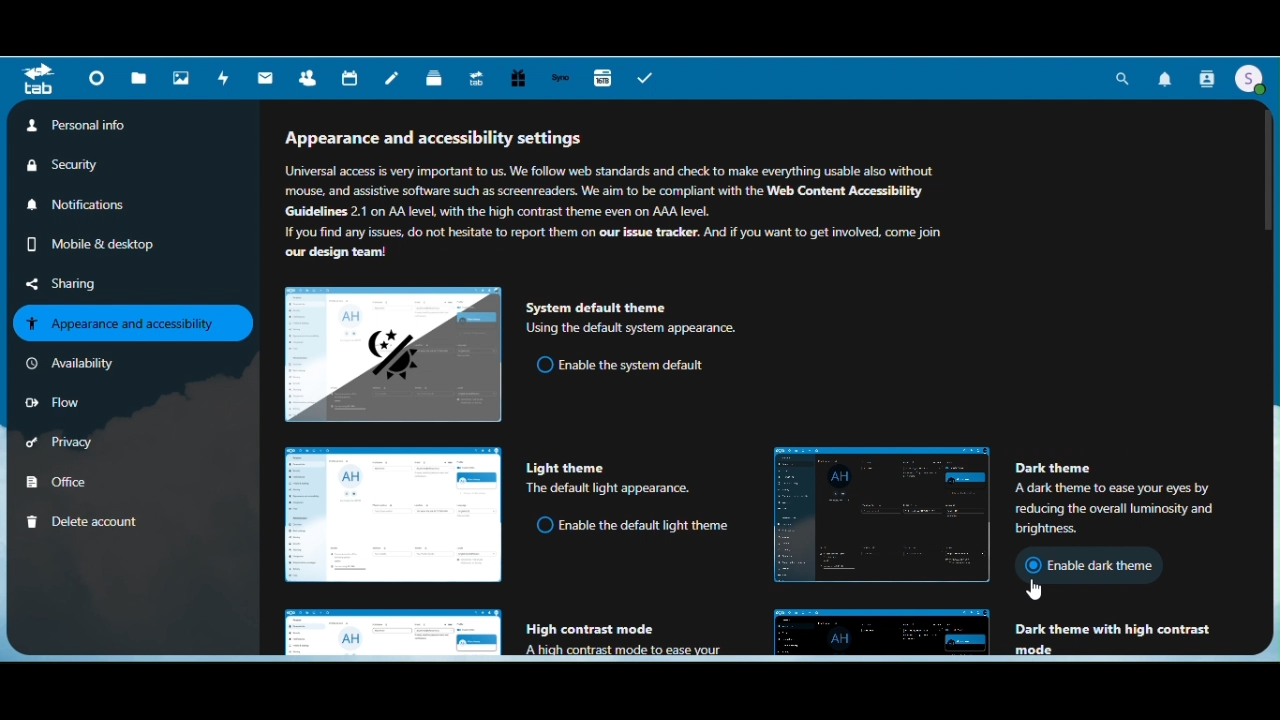  What do you see at coordinates (1207, 78) in the screenshot?
I see `Contacts` at bounding box center [1207, 78].